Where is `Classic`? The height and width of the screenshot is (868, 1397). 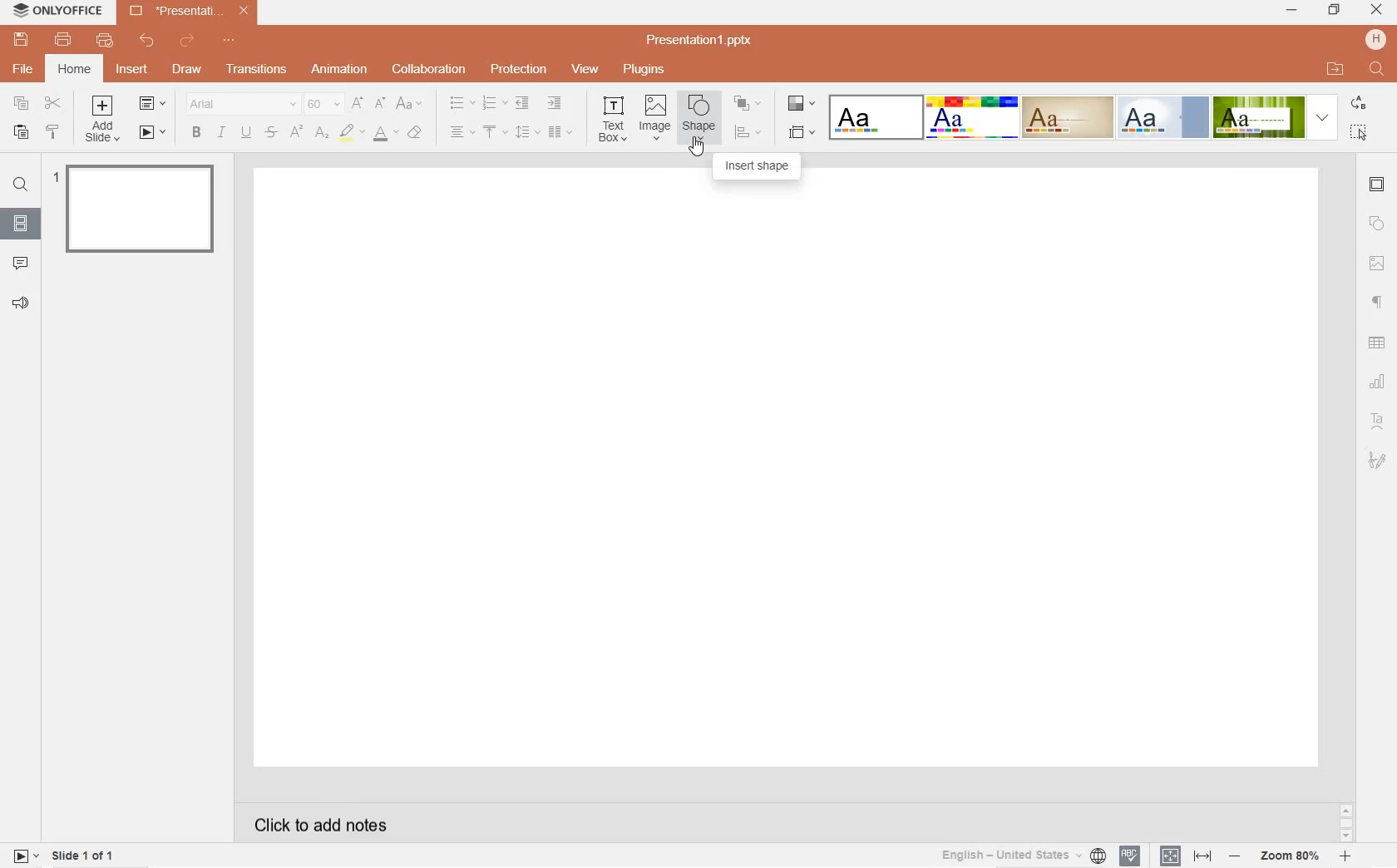 Classic is located at coordinates (1067, 117).